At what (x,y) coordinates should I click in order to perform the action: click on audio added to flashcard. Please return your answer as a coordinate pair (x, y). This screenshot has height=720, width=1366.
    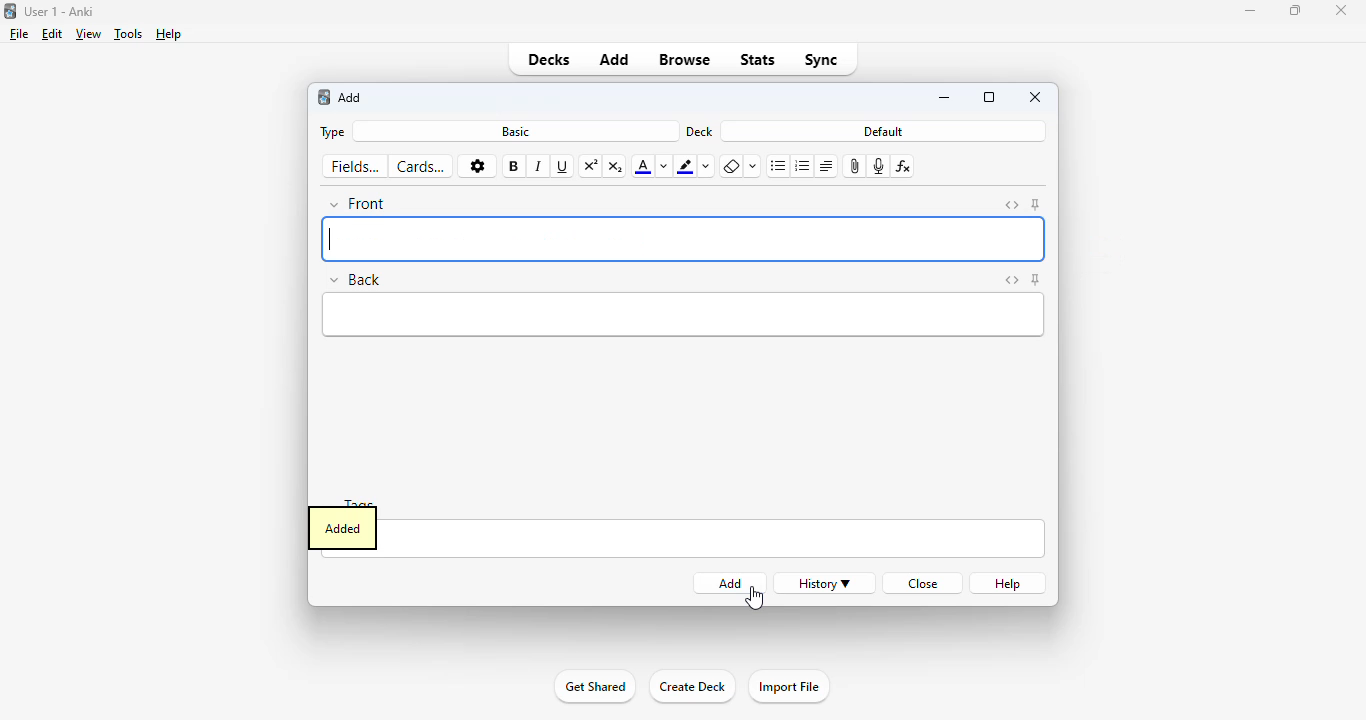
    Looking at the image, I should click on (342, 529).